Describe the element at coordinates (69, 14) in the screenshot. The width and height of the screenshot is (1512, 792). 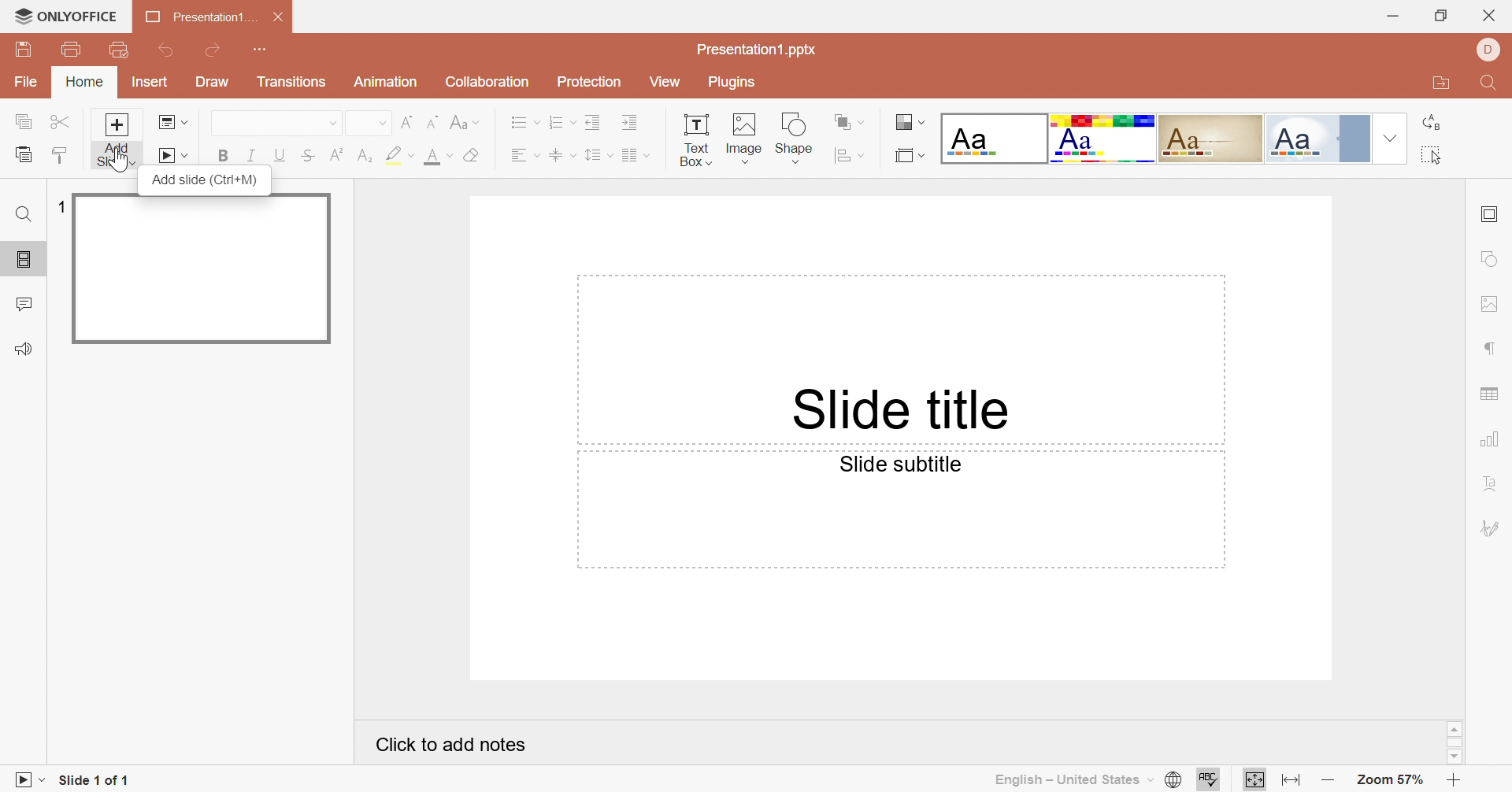
I see `ONLYOFFICE` at that location.